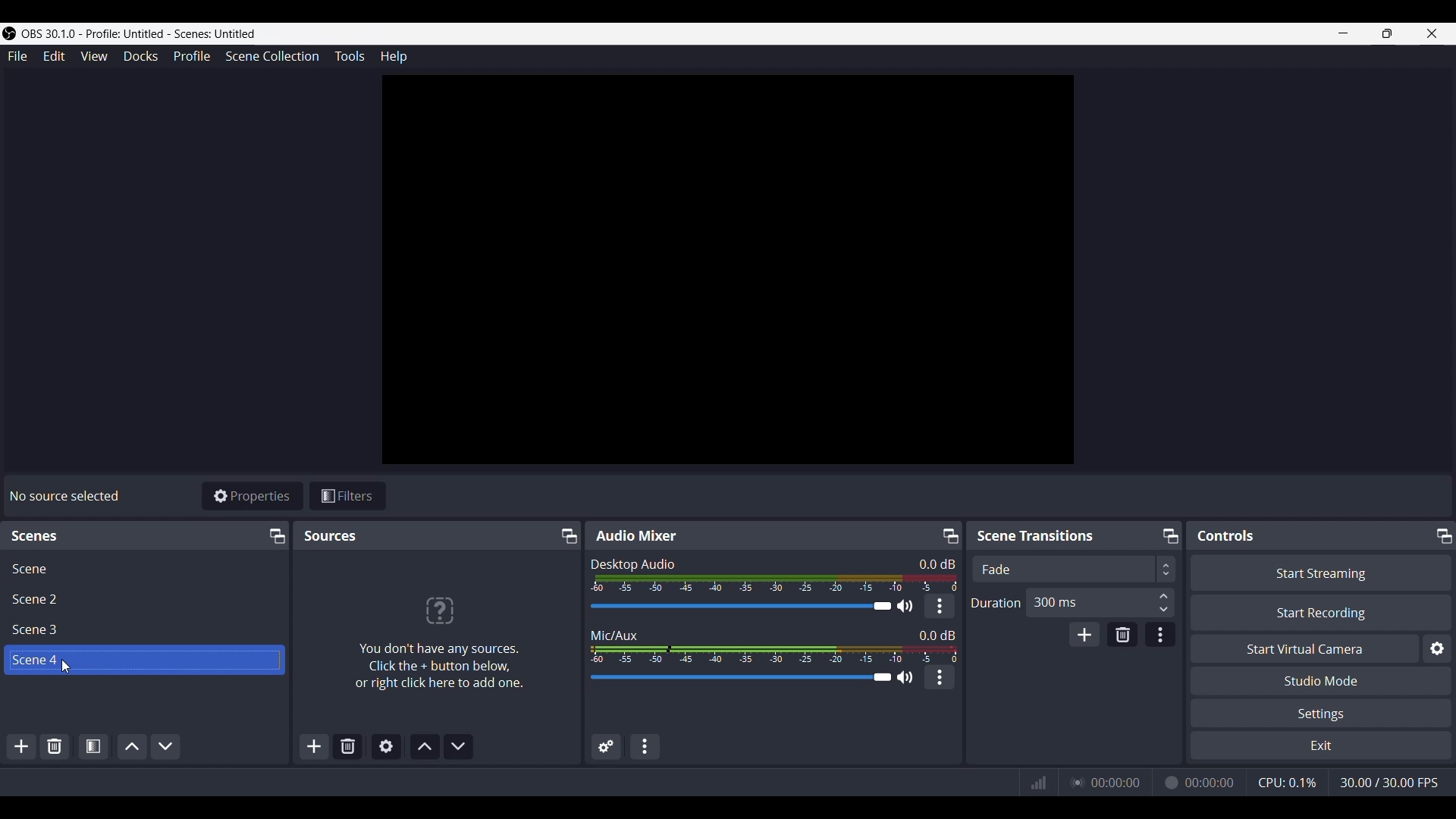 This screenshot has width=1456, height=819. Describe the element at coordinates (436, 610) in the screenshot. I see `?` at that location.